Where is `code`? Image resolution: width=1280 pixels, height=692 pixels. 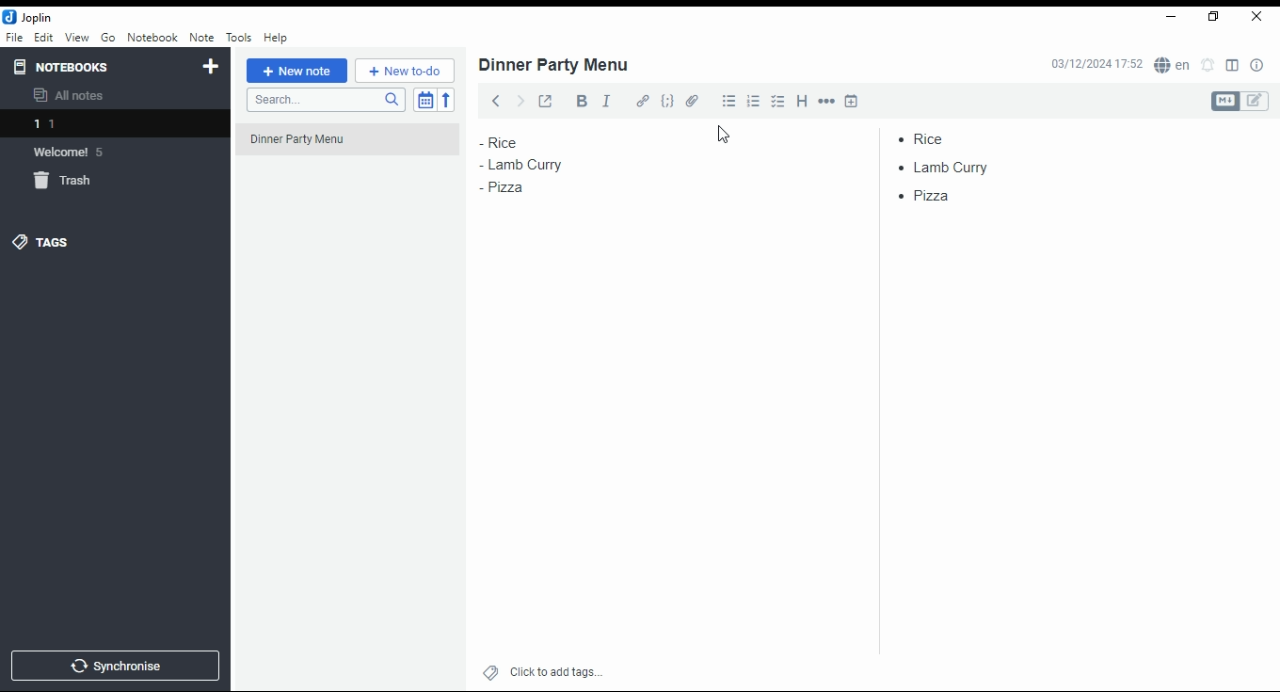
code is located at coordinates (668, 103).